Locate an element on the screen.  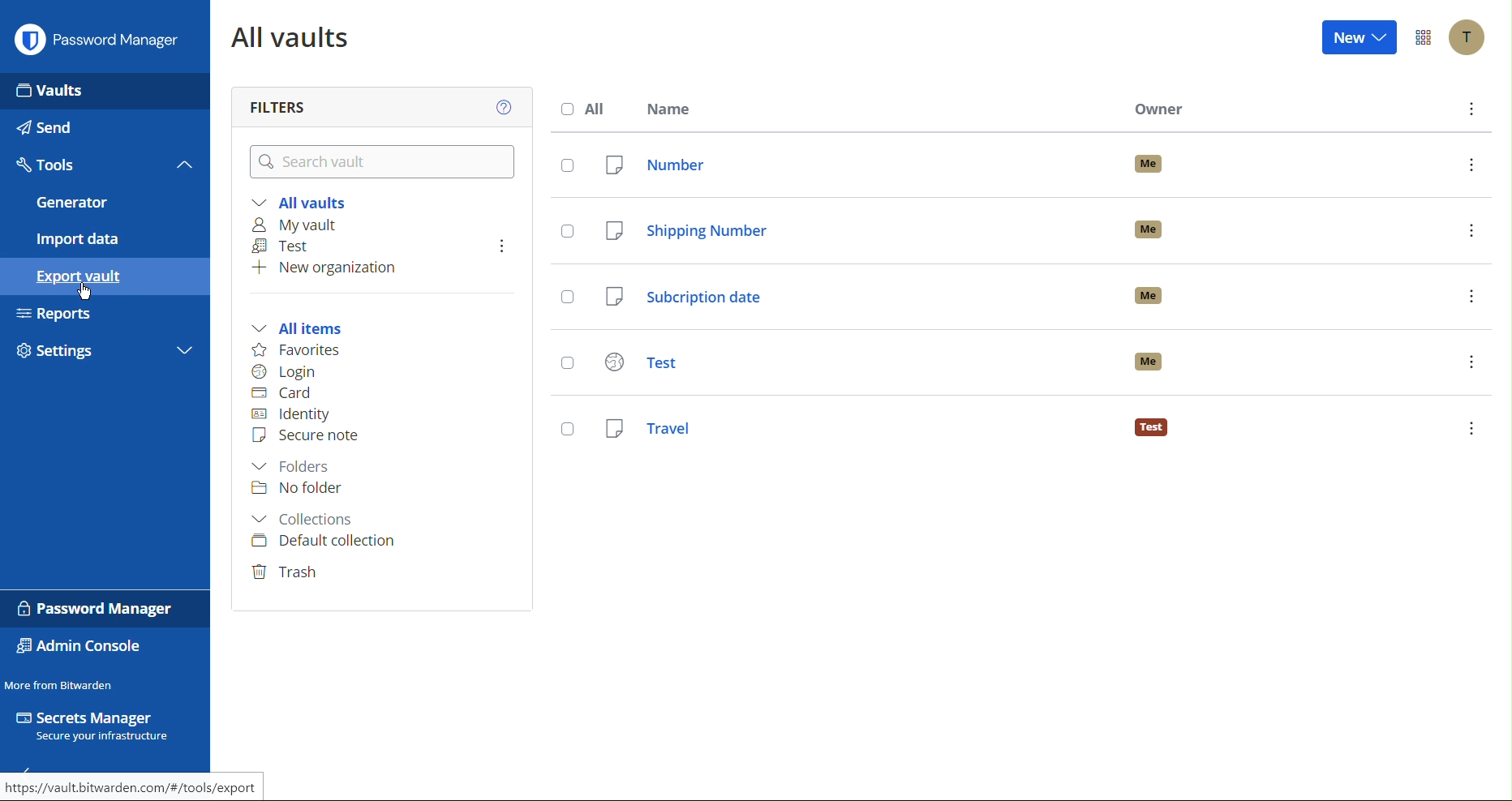
options is located at coordinates (1471, 296).